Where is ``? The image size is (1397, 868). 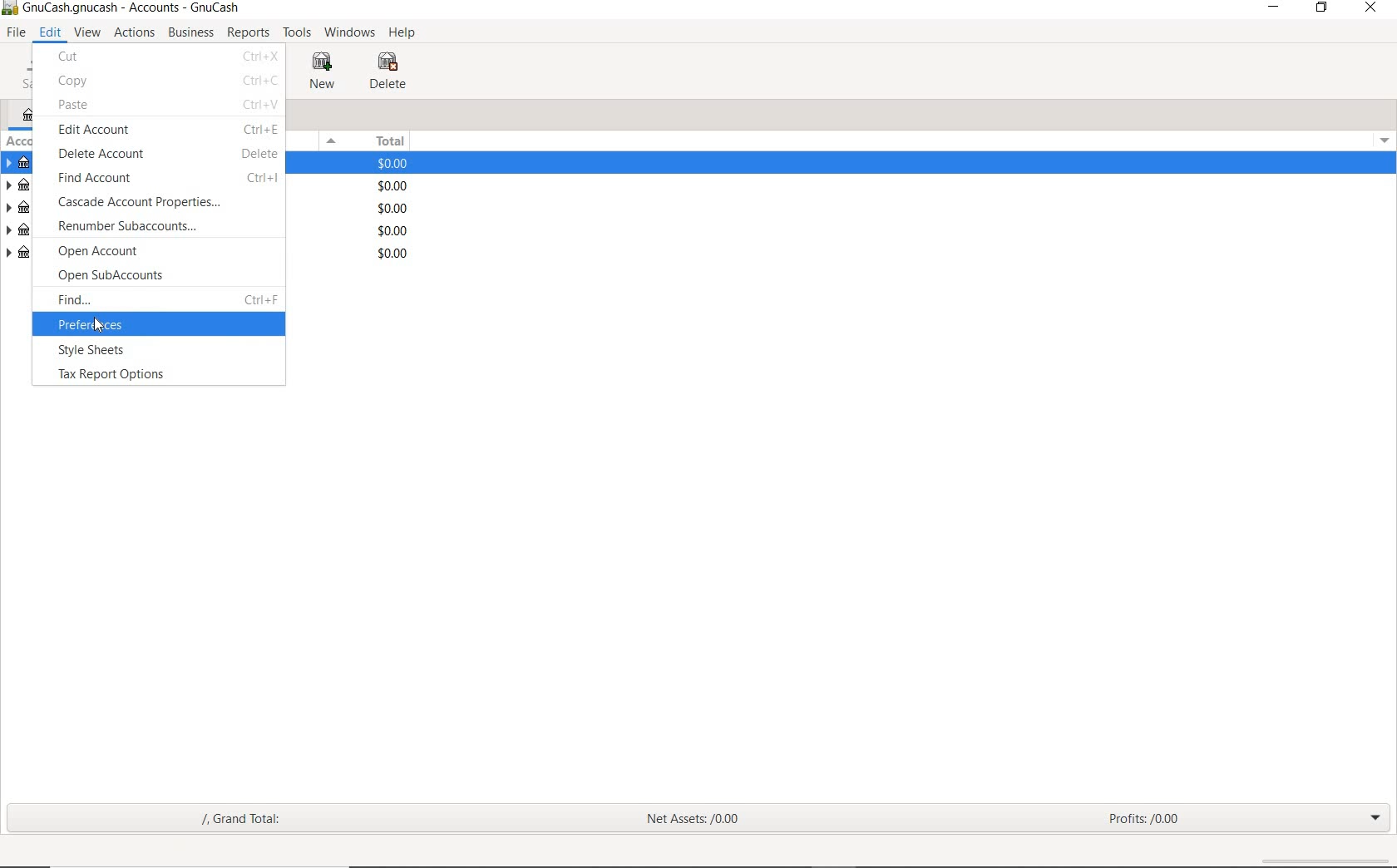
 is located at coordinates (262, 296).